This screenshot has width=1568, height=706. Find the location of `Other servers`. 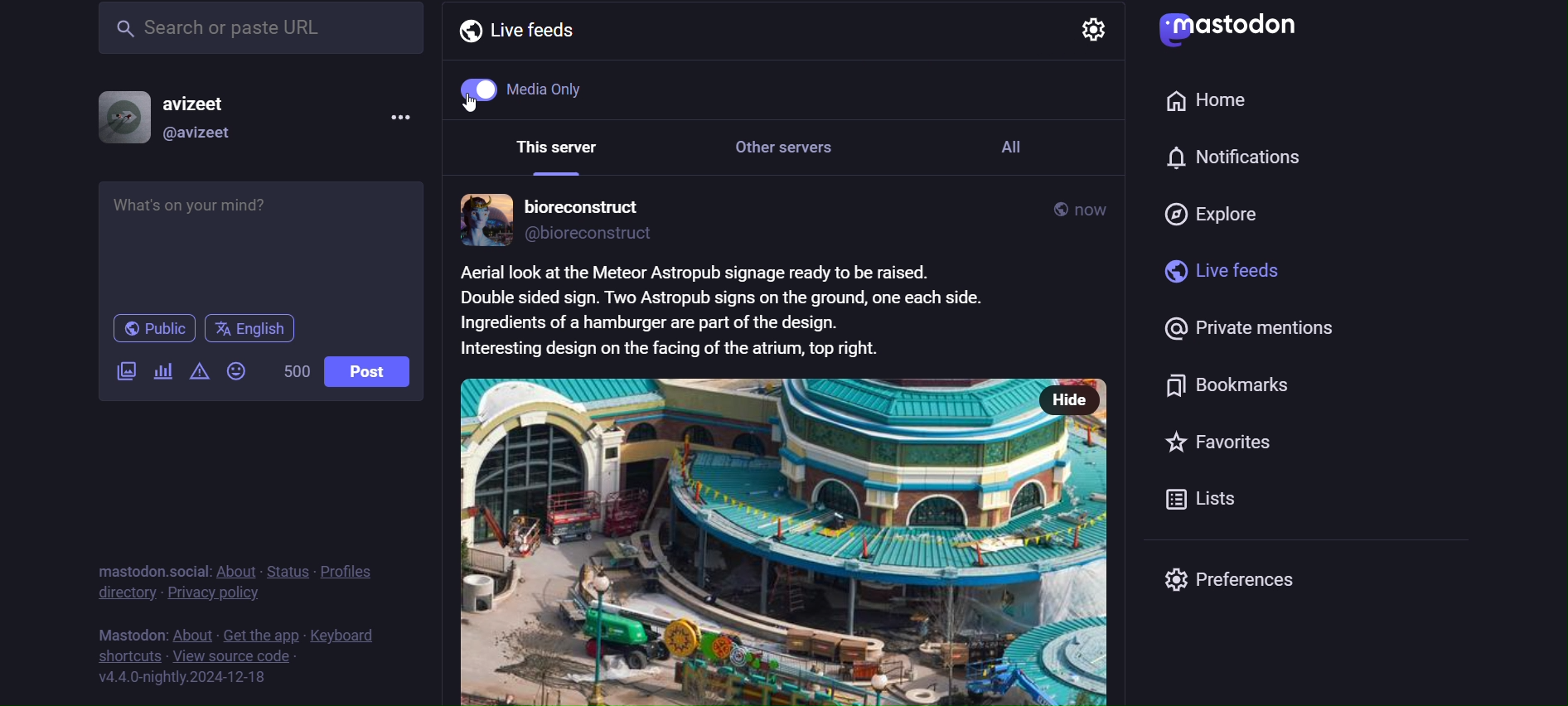

Other servers is located at coordinates (801, 147).